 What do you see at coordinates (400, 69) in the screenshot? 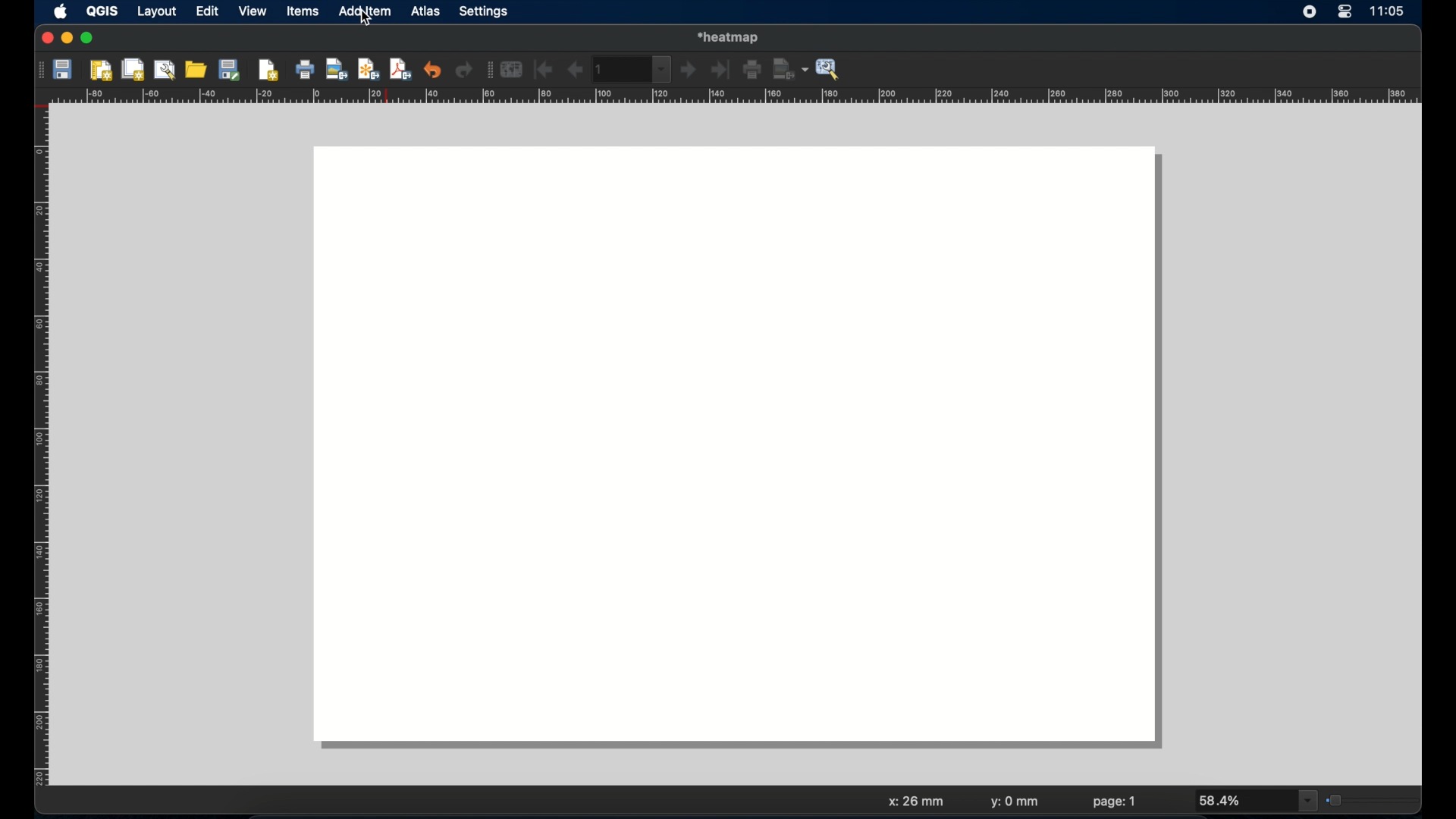
I see `export as pdf` at bounding box center [400, 69].